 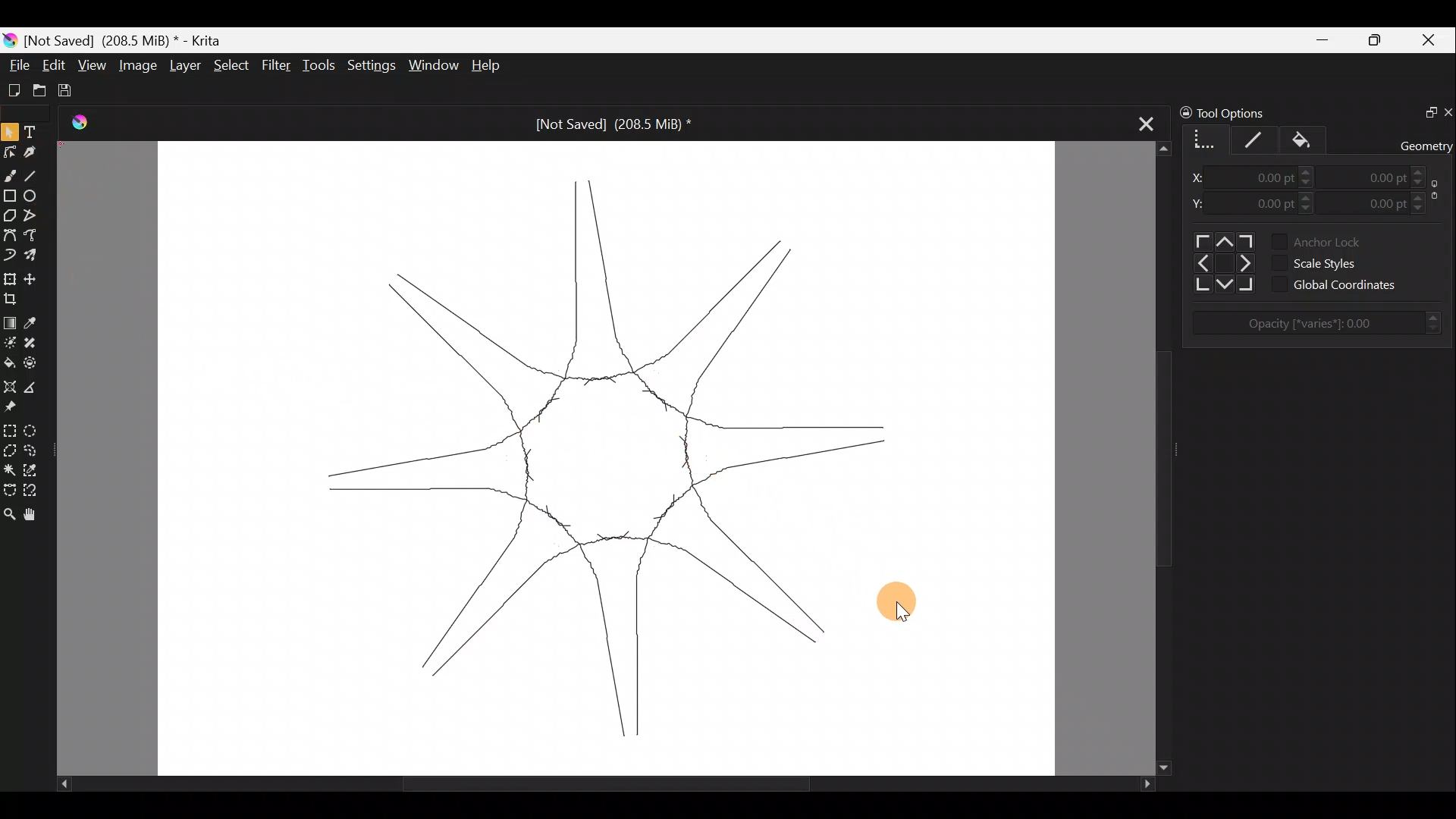 I want to click on Fill a contiguous area of color with color, so click(x=9, y=362).